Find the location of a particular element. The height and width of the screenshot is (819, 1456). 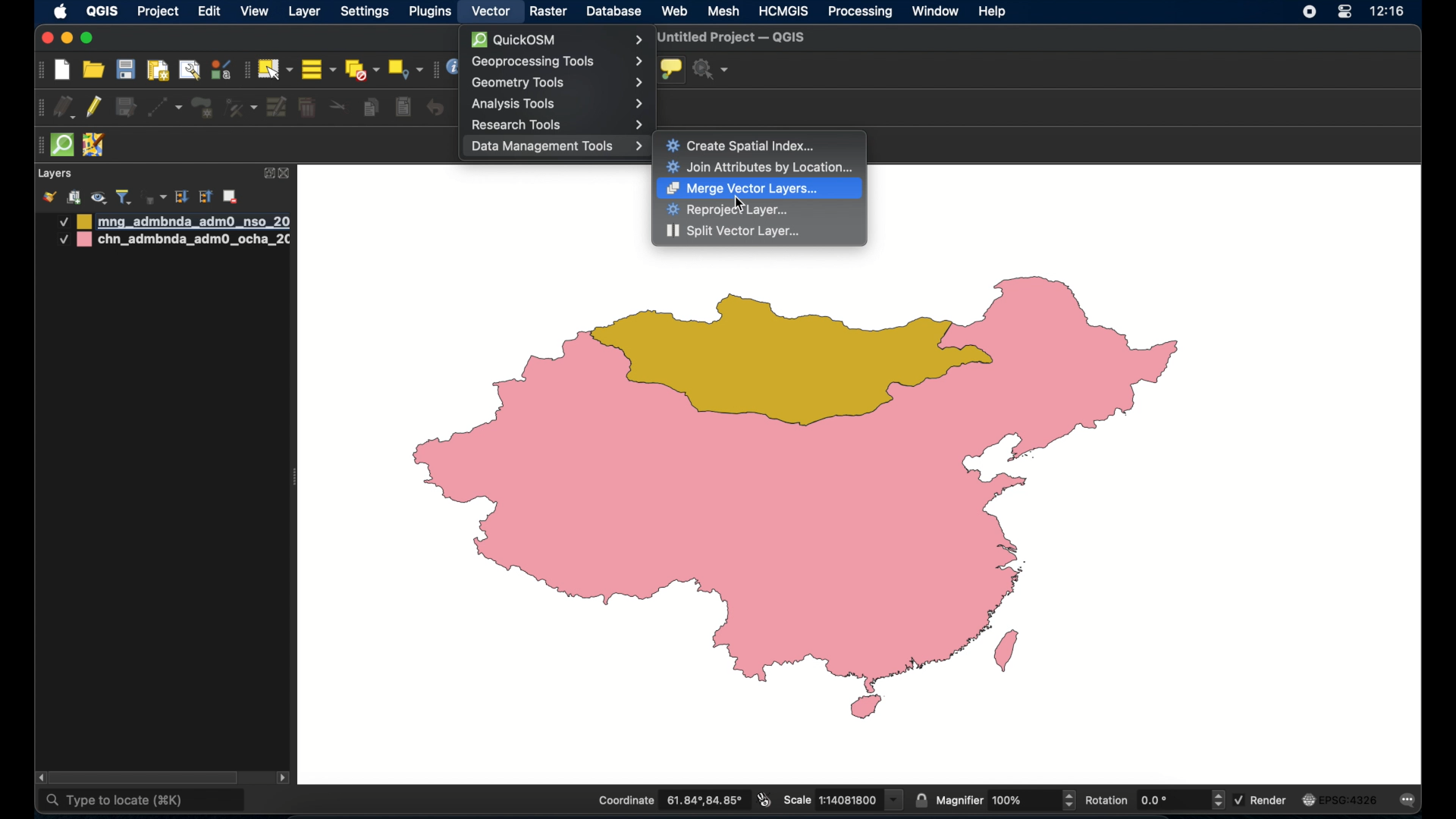

database is located at coordinates (614, 12).